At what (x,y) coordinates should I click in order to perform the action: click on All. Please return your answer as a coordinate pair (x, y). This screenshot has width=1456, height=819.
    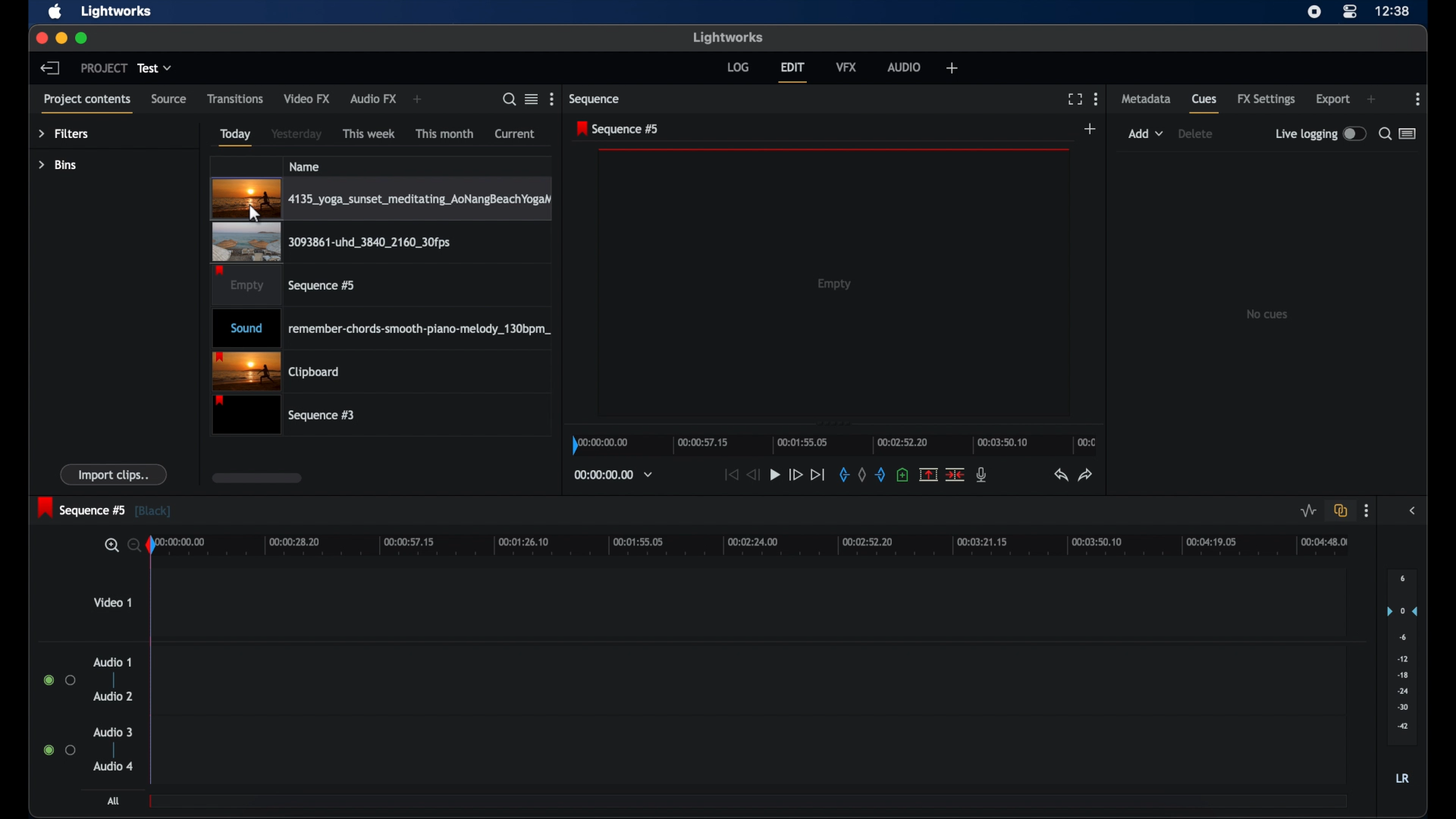
    Looking at the image, I should click on (112, 800).